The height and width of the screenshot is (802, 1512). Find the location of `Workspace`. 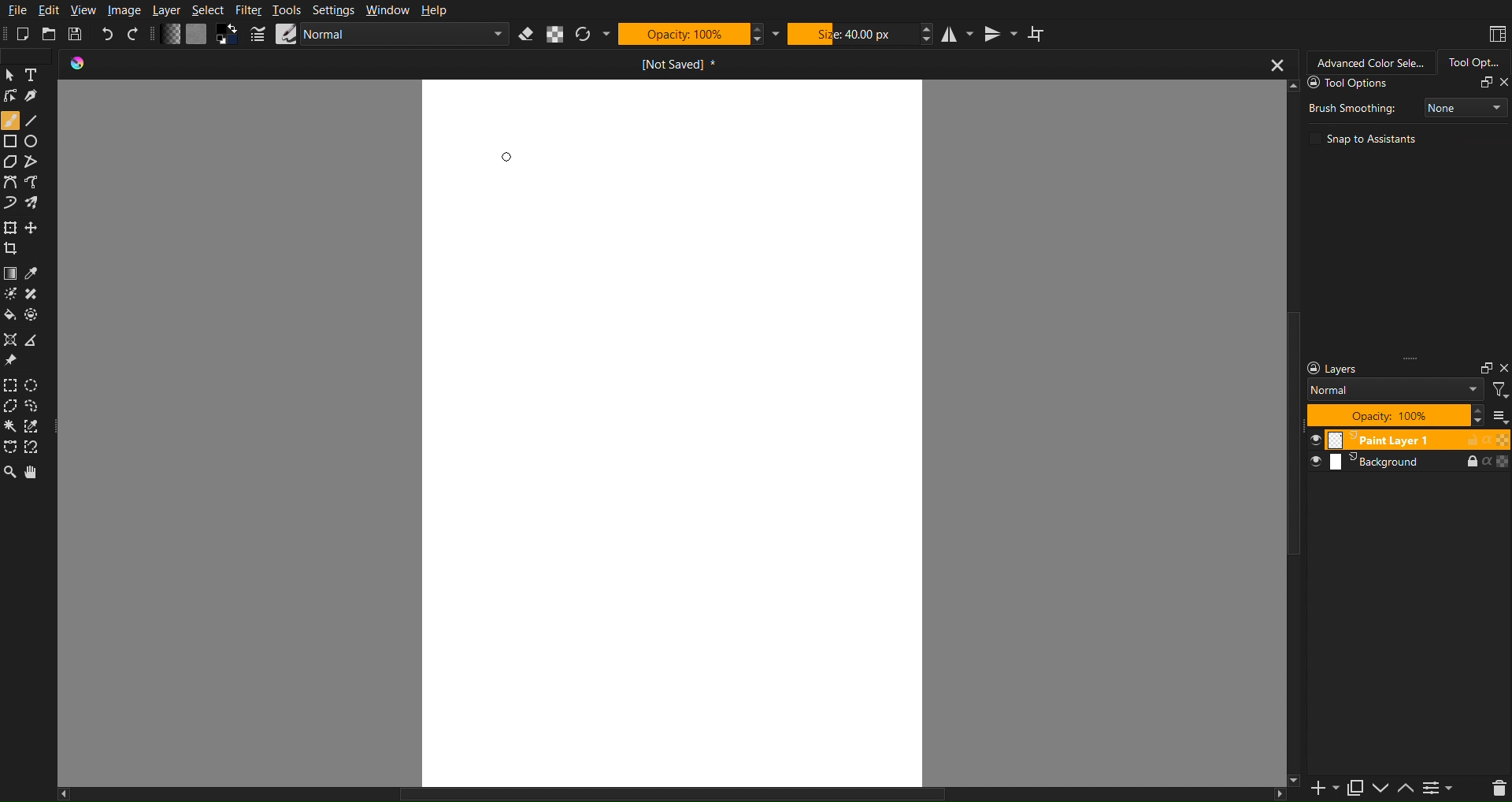

Workspace is located at coordinates (1496, 34).